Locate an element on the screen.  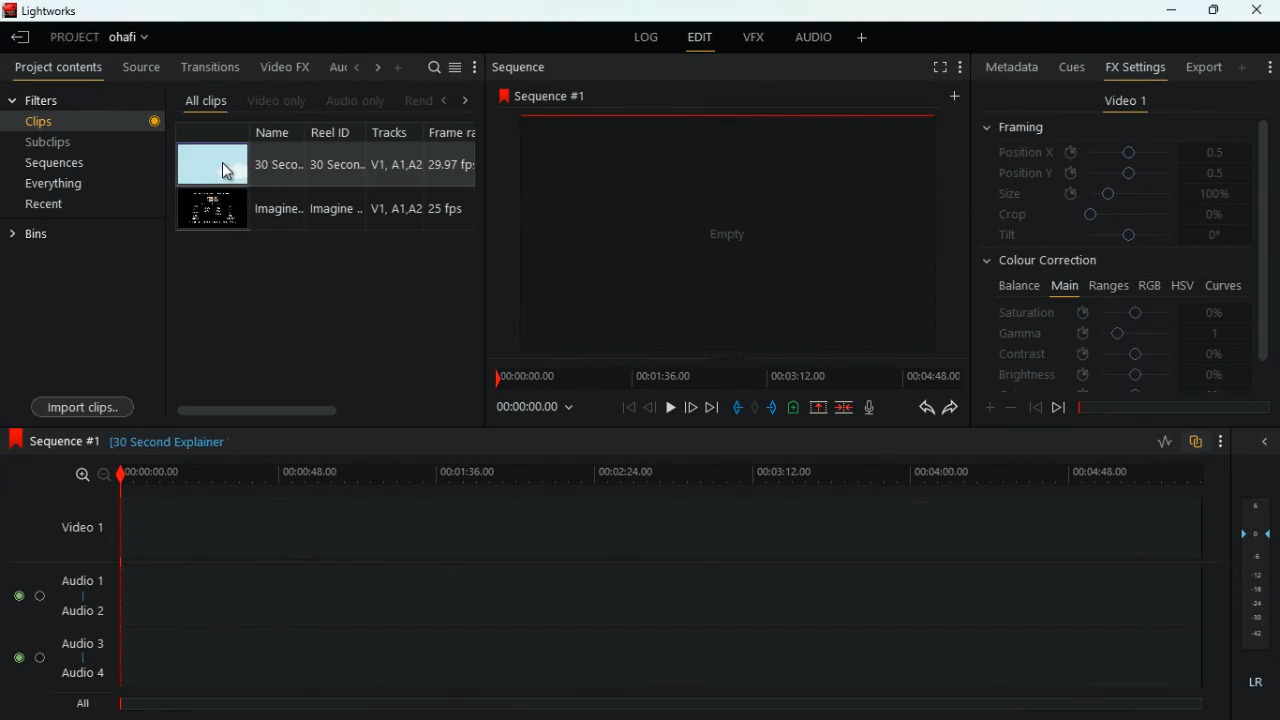
export is located at coordinates (1202, 67).